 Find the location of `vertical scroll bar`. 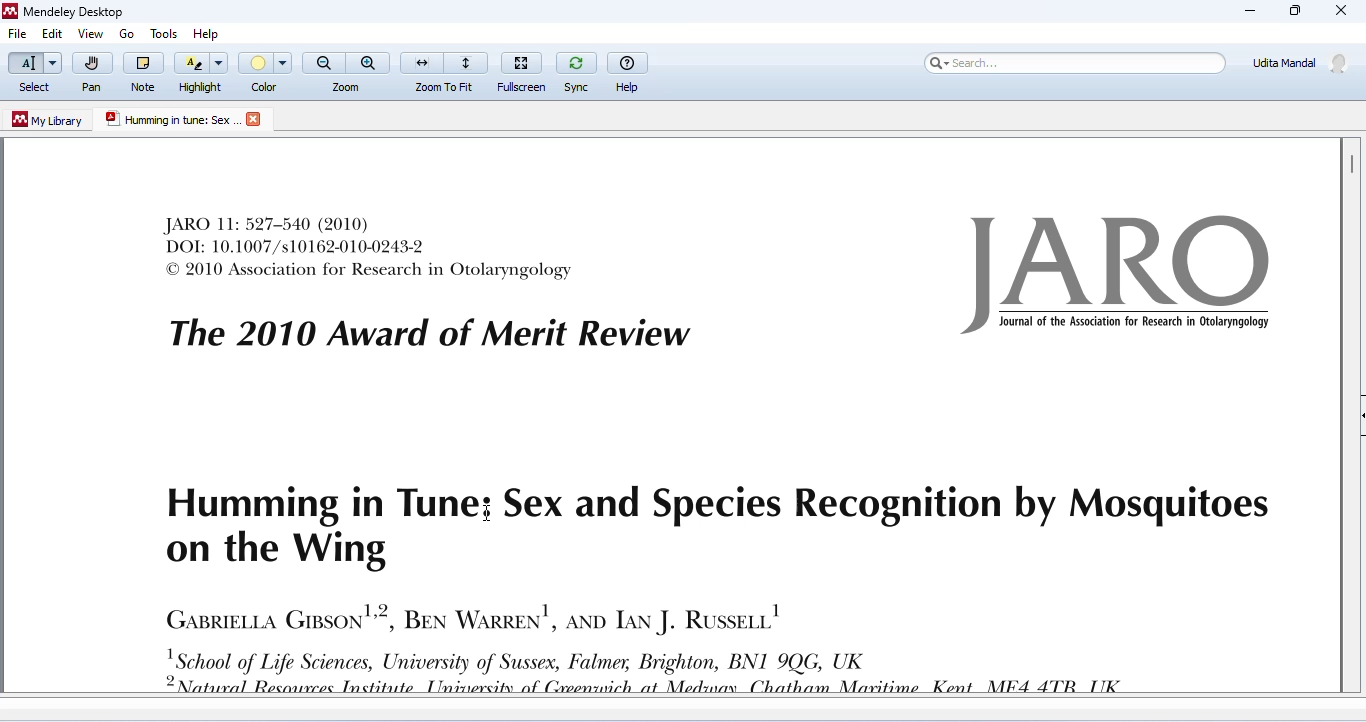

vertical scroll bar is located at coordinates (1350, 163).